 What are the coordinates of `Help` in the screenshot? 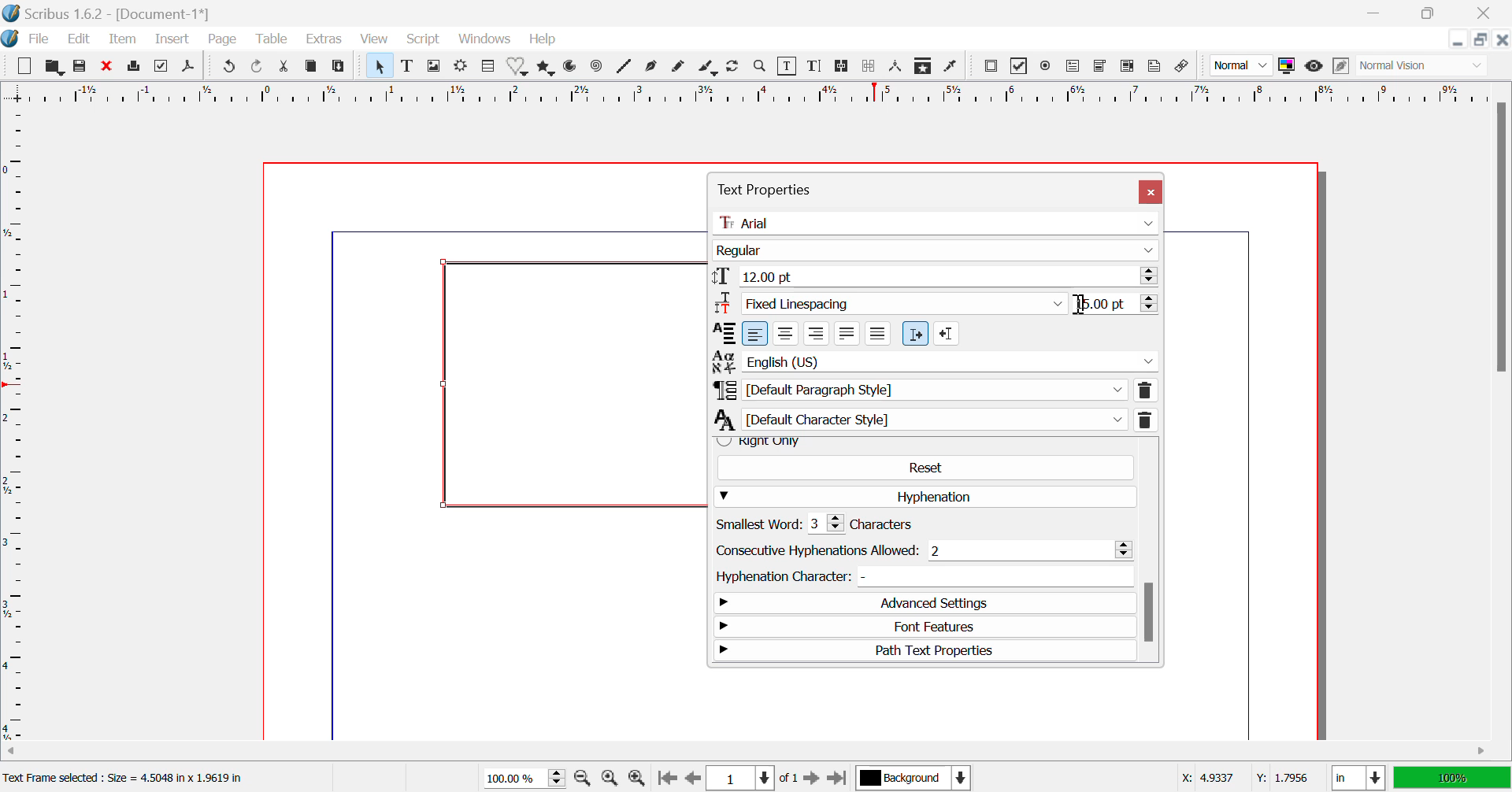 It's located at (543, 40).